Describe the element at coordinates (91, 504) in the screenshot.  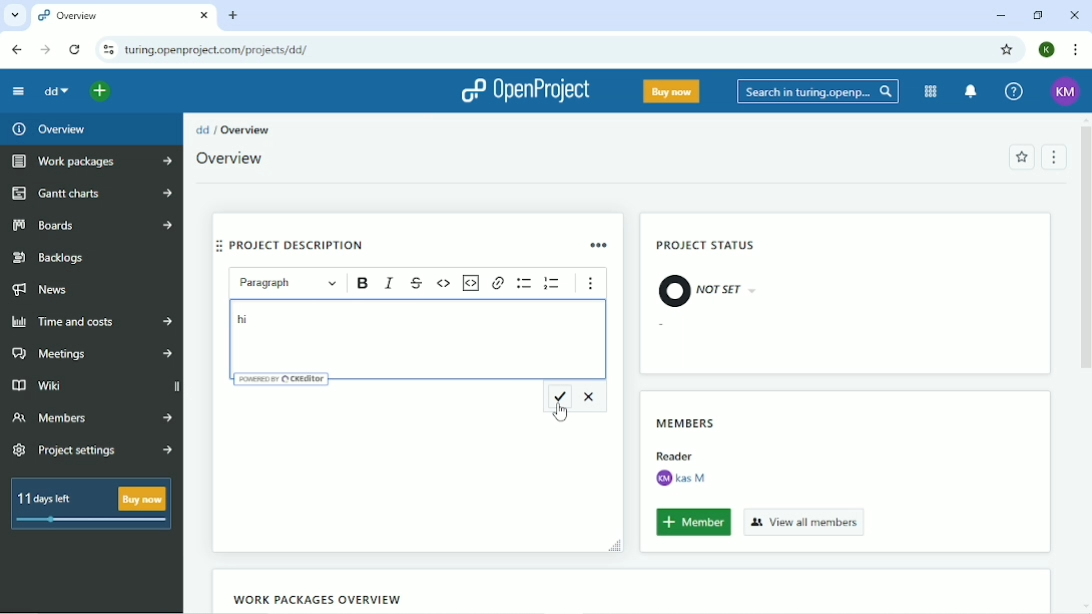
I see `11 days left Buy now` at that location.